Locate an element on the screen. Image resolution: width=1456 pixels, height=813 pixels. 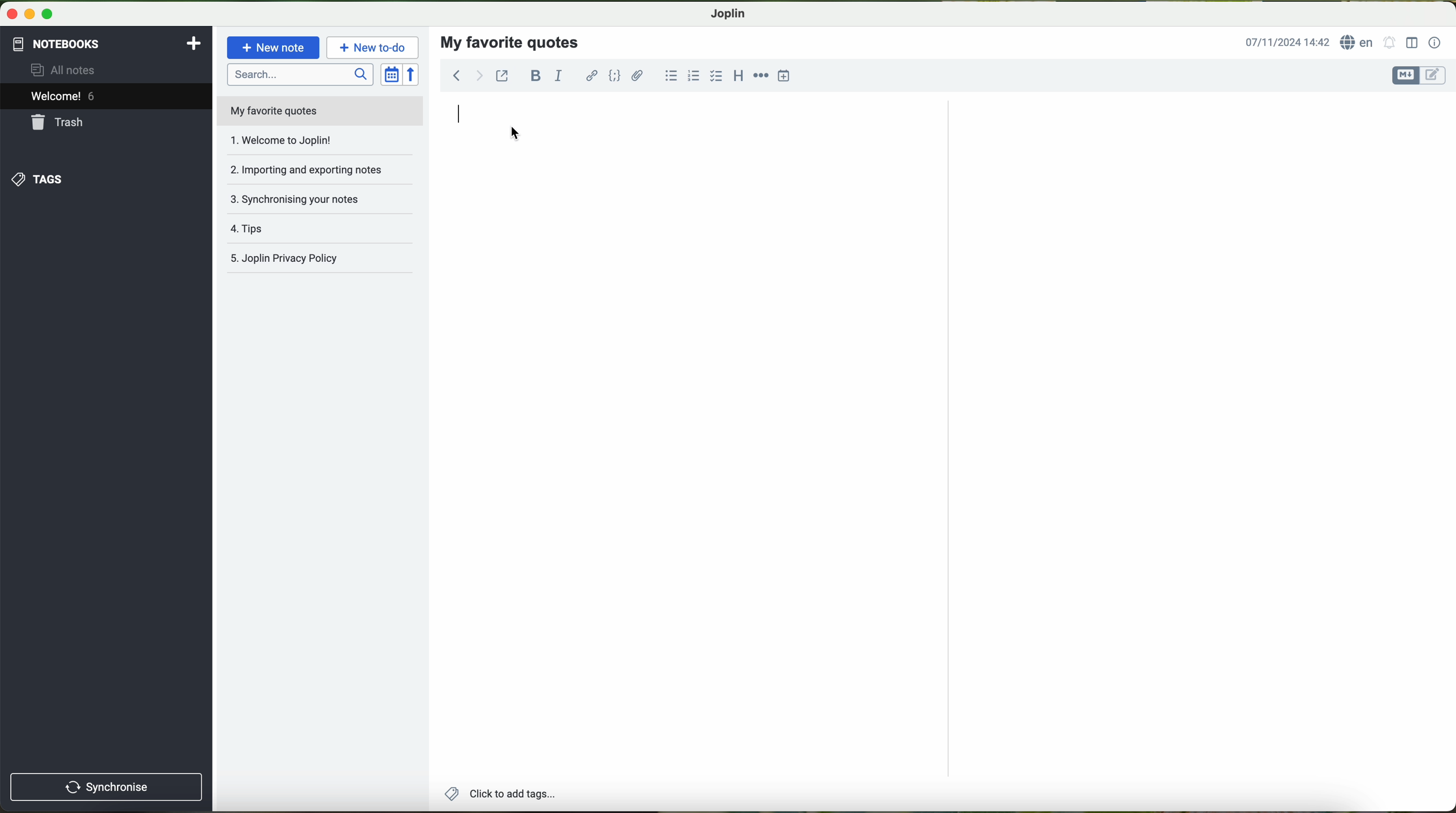
welcome to joplin is located at coordinates (307, 141).